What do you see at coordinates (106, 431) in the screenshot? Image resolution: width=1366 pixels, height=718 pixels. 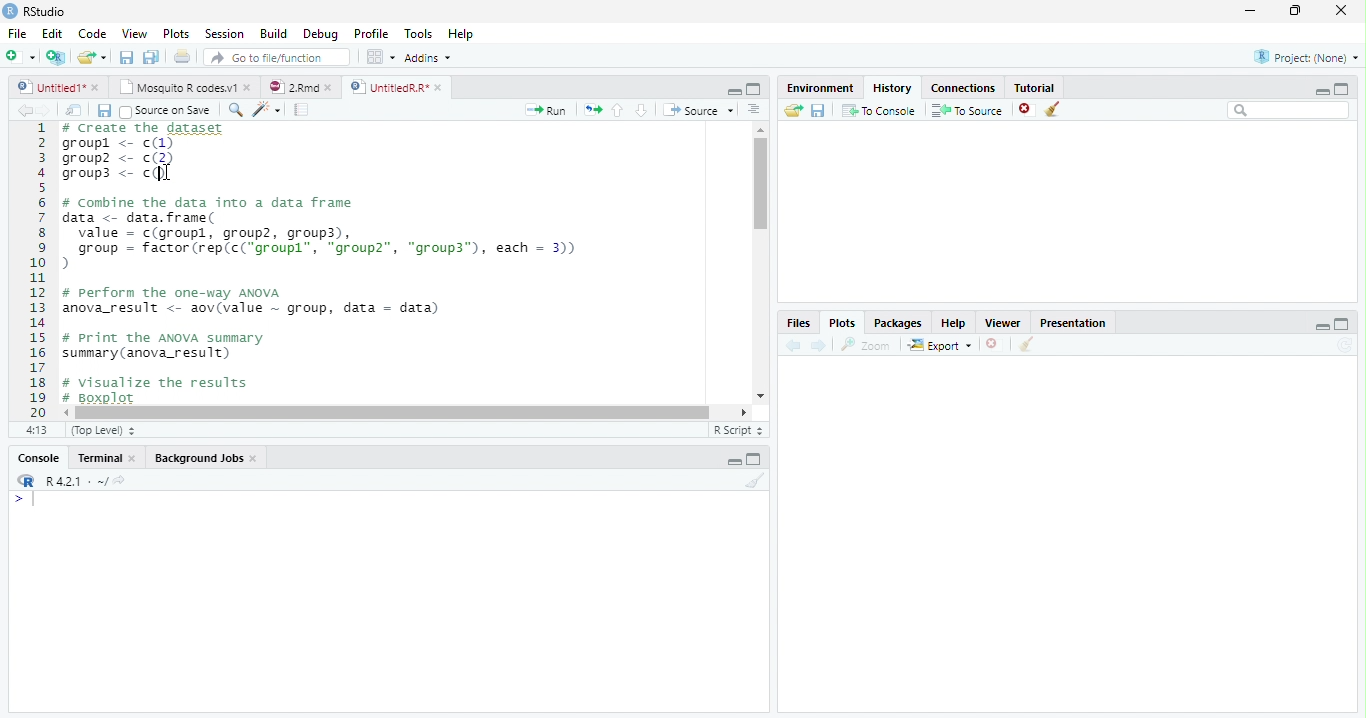 I see `Top level` at bounding box center [106, 431].